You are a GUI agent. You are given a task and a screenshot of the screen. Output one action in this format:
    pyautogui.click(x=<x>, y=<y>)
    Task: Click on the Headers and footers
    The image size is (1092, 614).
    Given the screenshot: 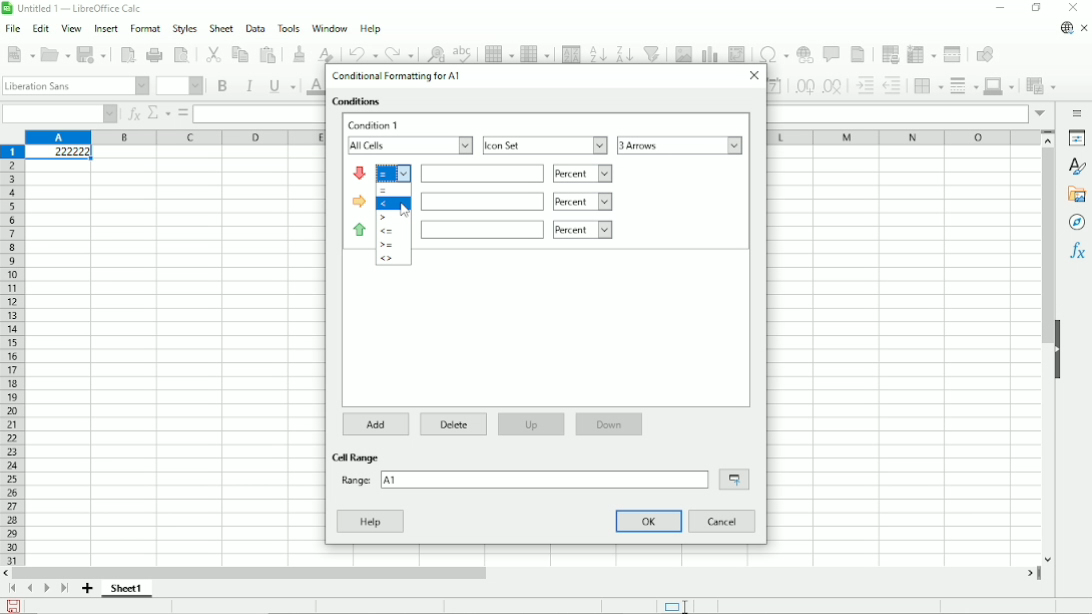 What is the action you would take?
    pyautogui.click(x=859, y=54)
    